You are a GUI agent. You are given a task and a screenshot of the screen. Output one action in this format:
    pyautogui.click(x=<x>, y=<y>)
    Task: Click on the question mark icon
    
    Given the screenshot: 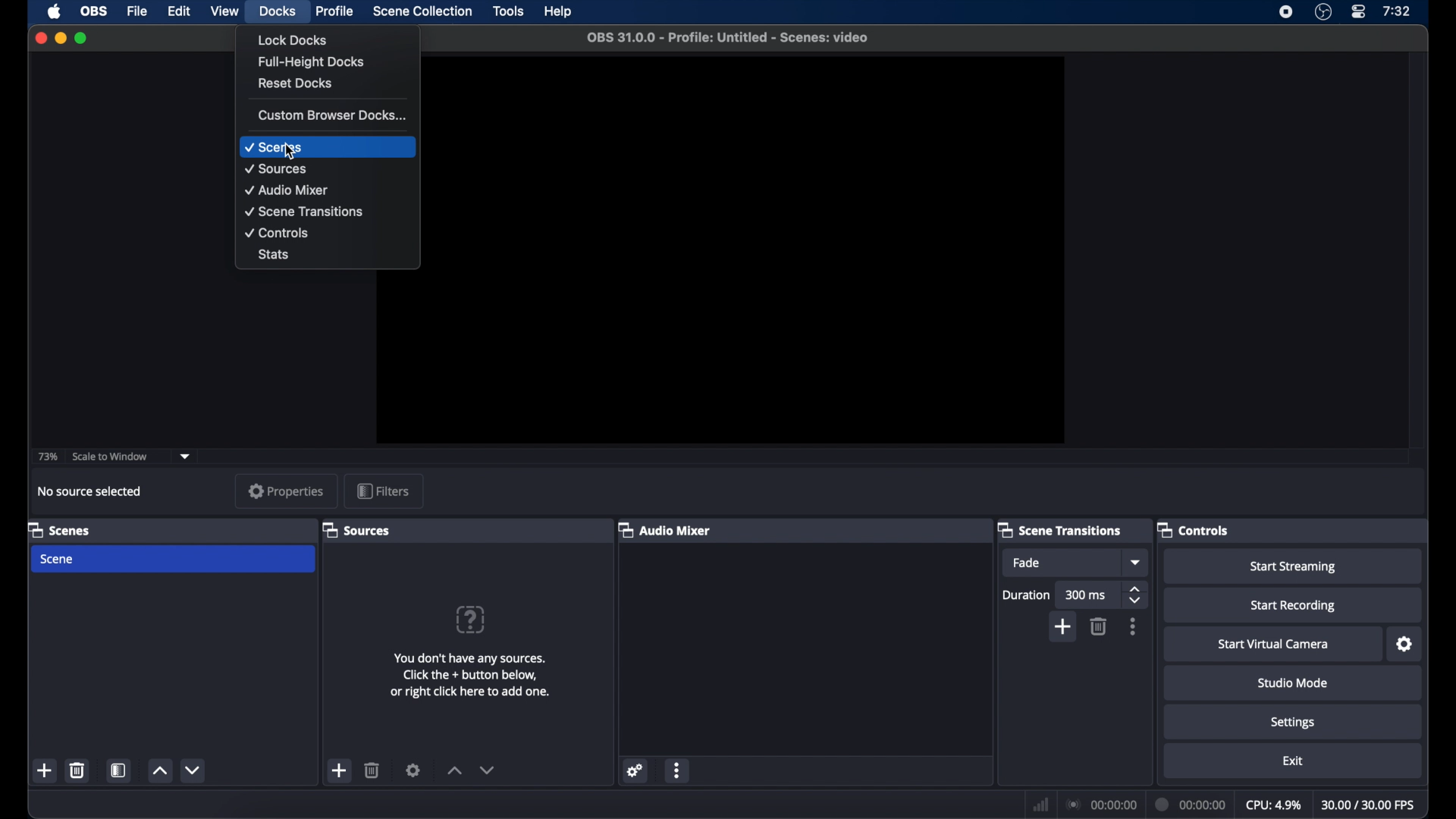 What is the action you would take?
    pyautogui.click(x=472, y=619)
    